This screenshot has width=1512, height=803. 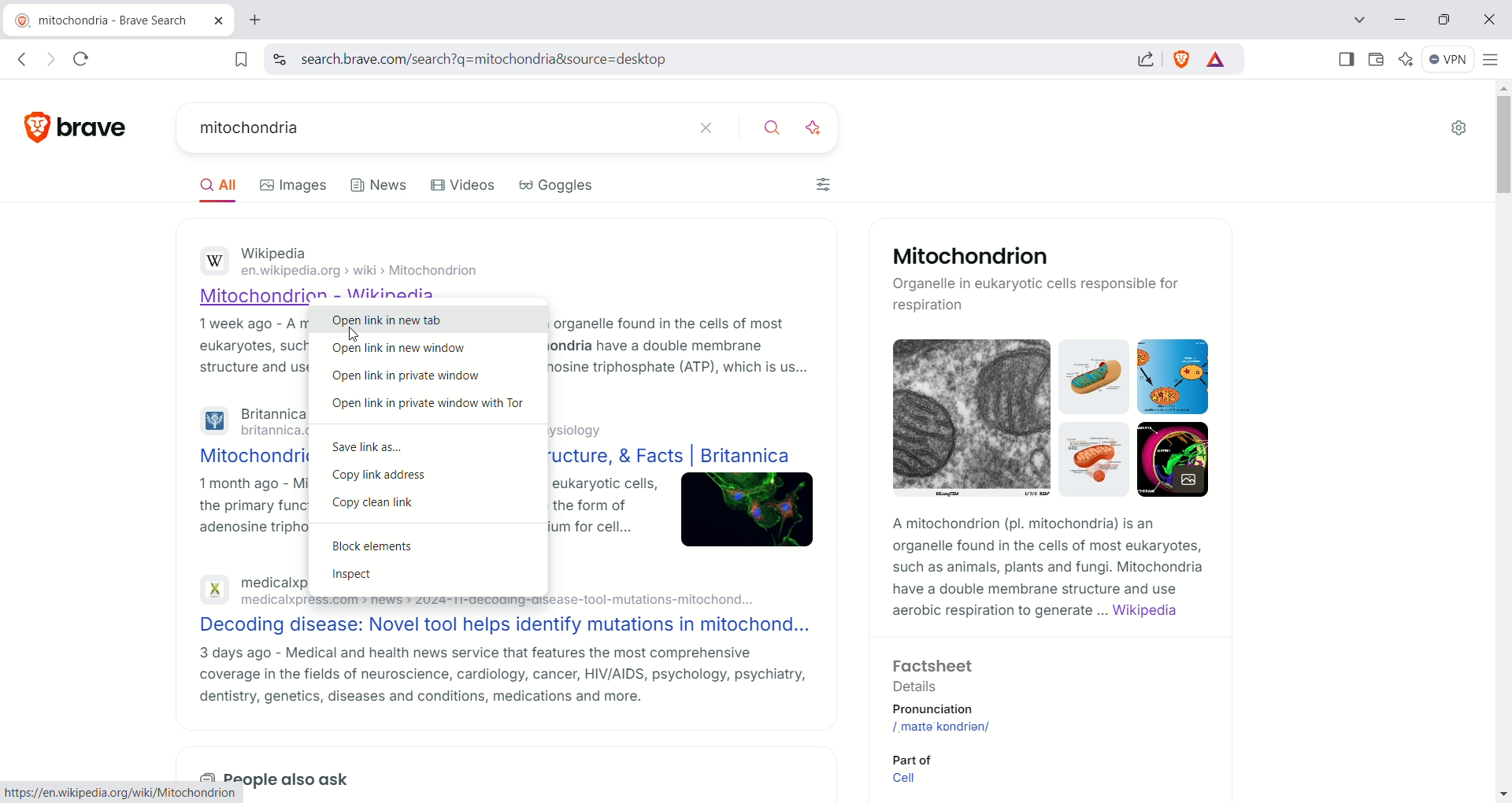 What do you see at coordinates (358, 574) in the screenshot?
I see `inspect` at bounding box center [358, 574].